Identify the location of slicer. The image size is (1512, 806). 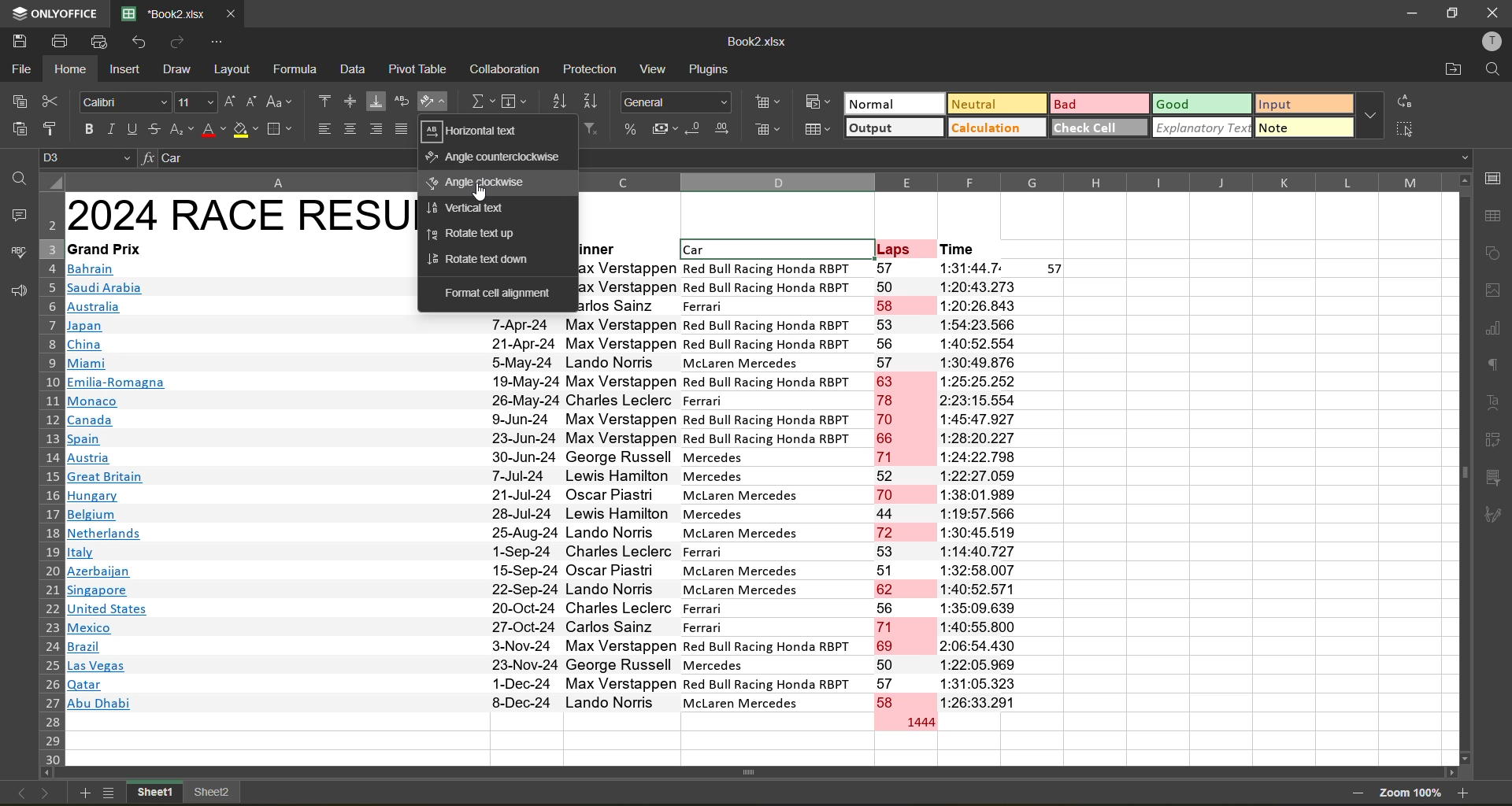
(1494, 477).